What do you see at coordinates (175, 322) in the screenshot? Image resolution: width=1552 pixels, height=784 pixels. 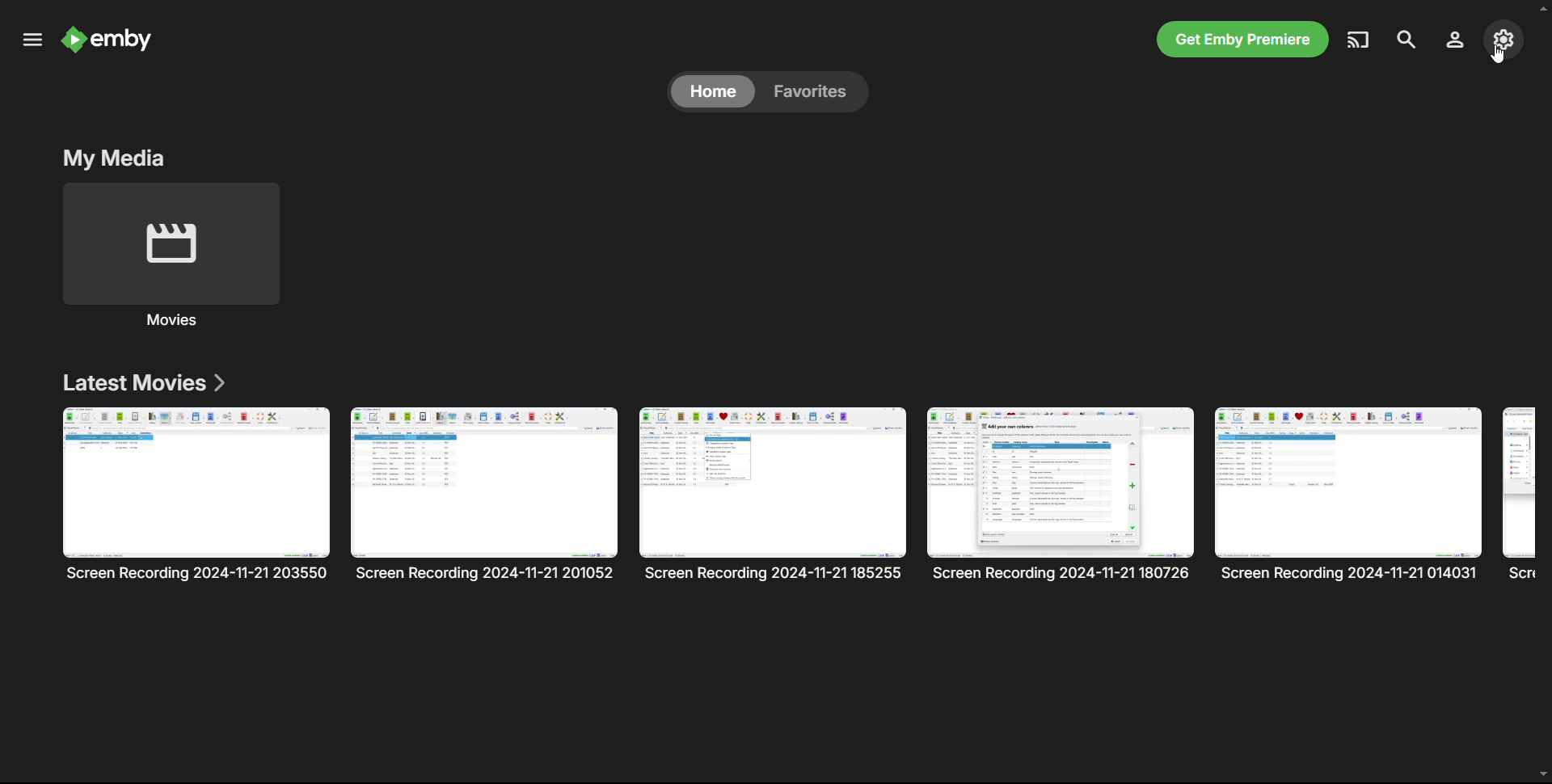 I see `movies` at bounding box center [175, 322].